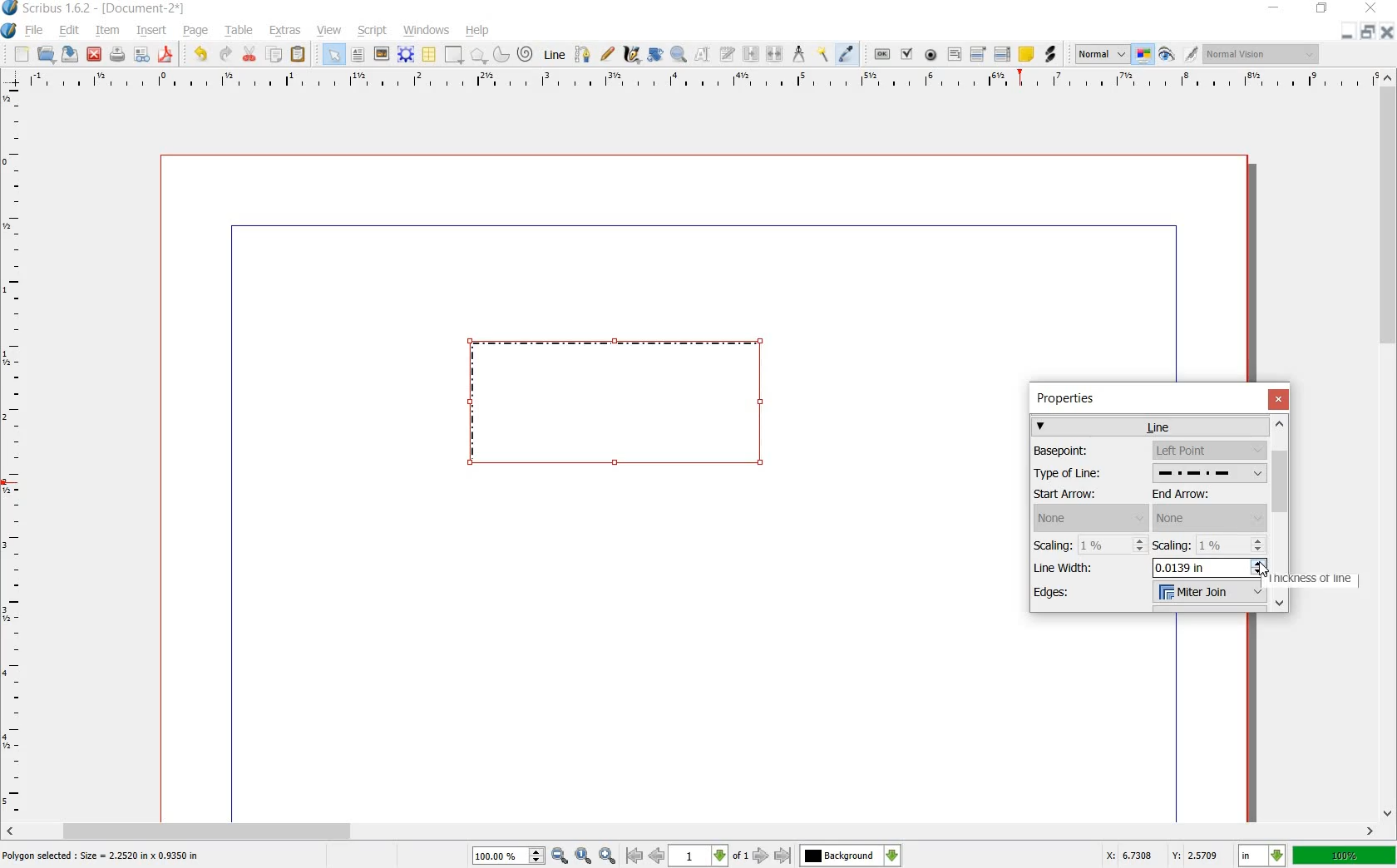  I want to click on 0.0139 in, so click(1202, 568).